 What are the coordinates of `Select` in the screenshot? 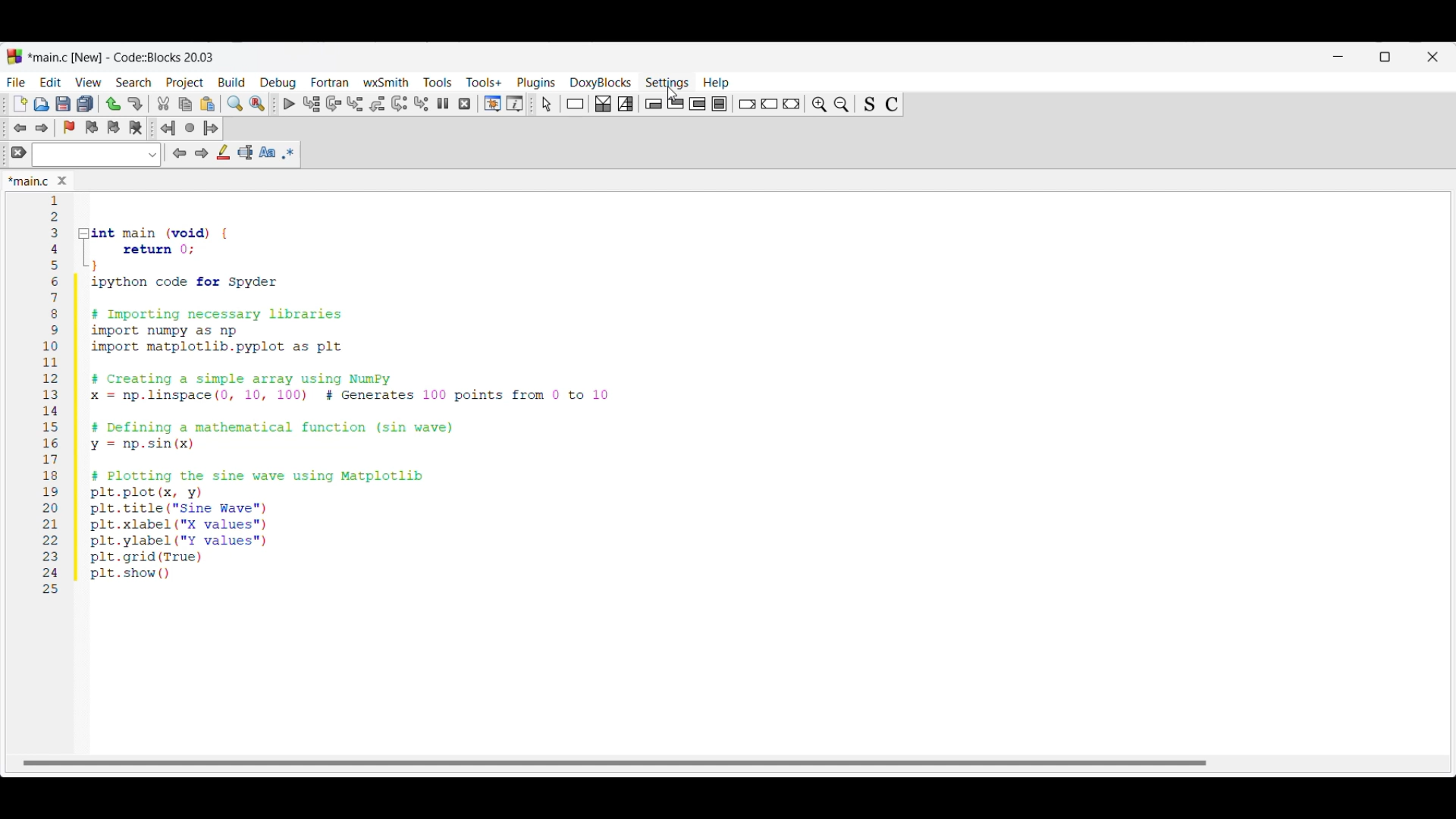 It's located at (547, 104).